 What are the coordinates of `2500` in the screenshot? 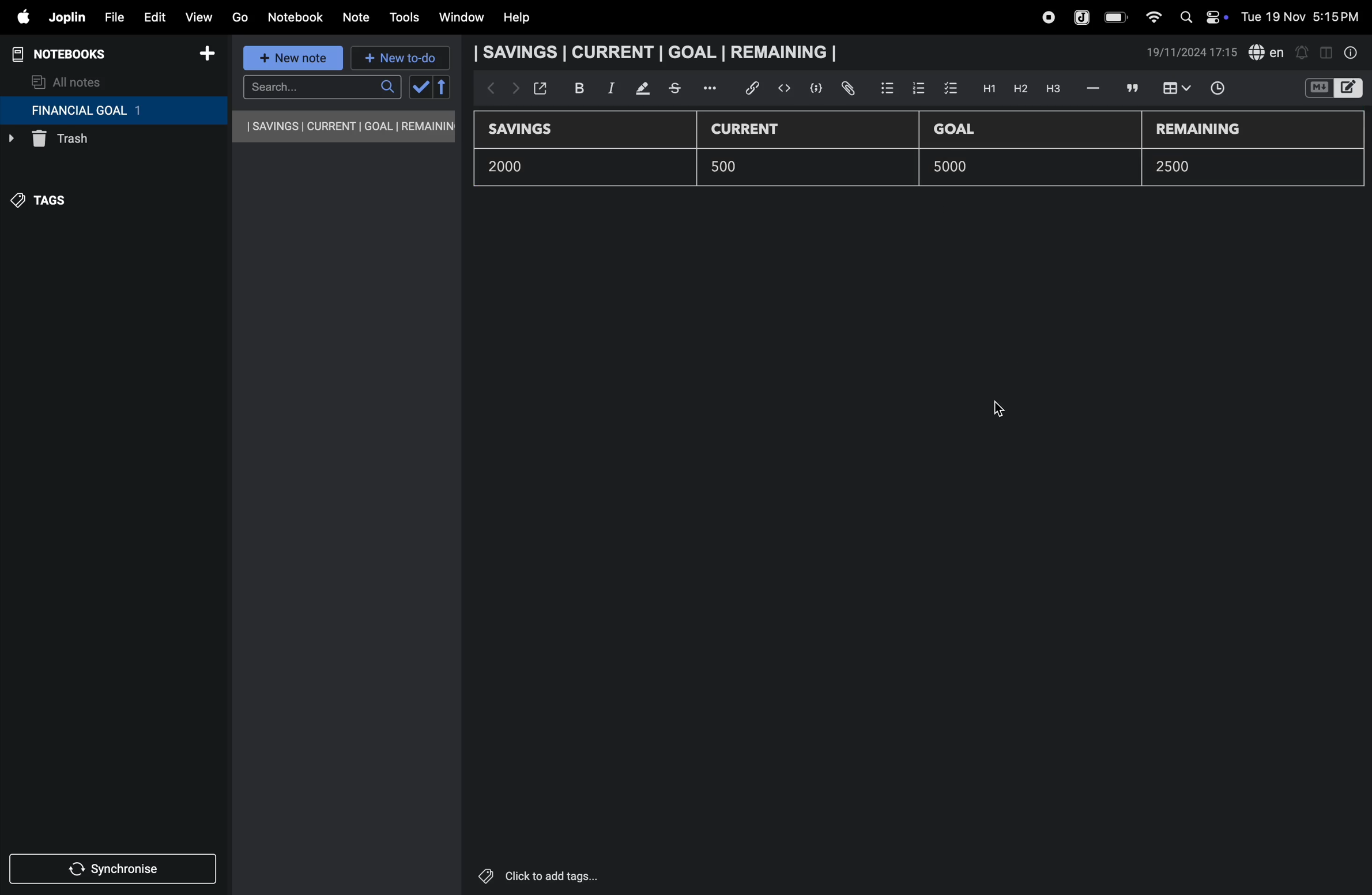 It's located at (1178, 167).